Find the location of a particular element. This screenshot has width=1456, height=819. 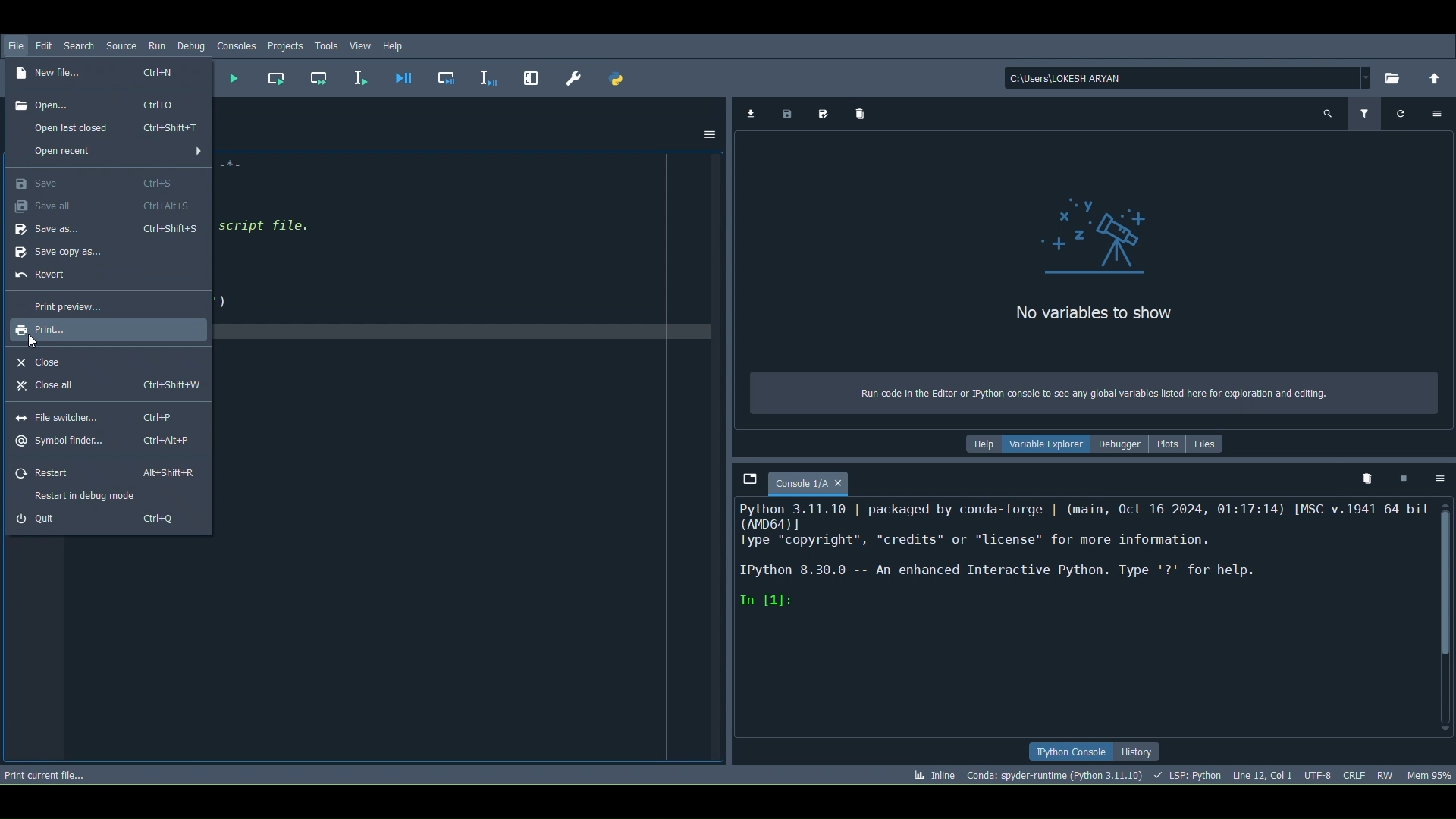

NO VARIABLES TO SHOW is located at coordinates (1095, 315).